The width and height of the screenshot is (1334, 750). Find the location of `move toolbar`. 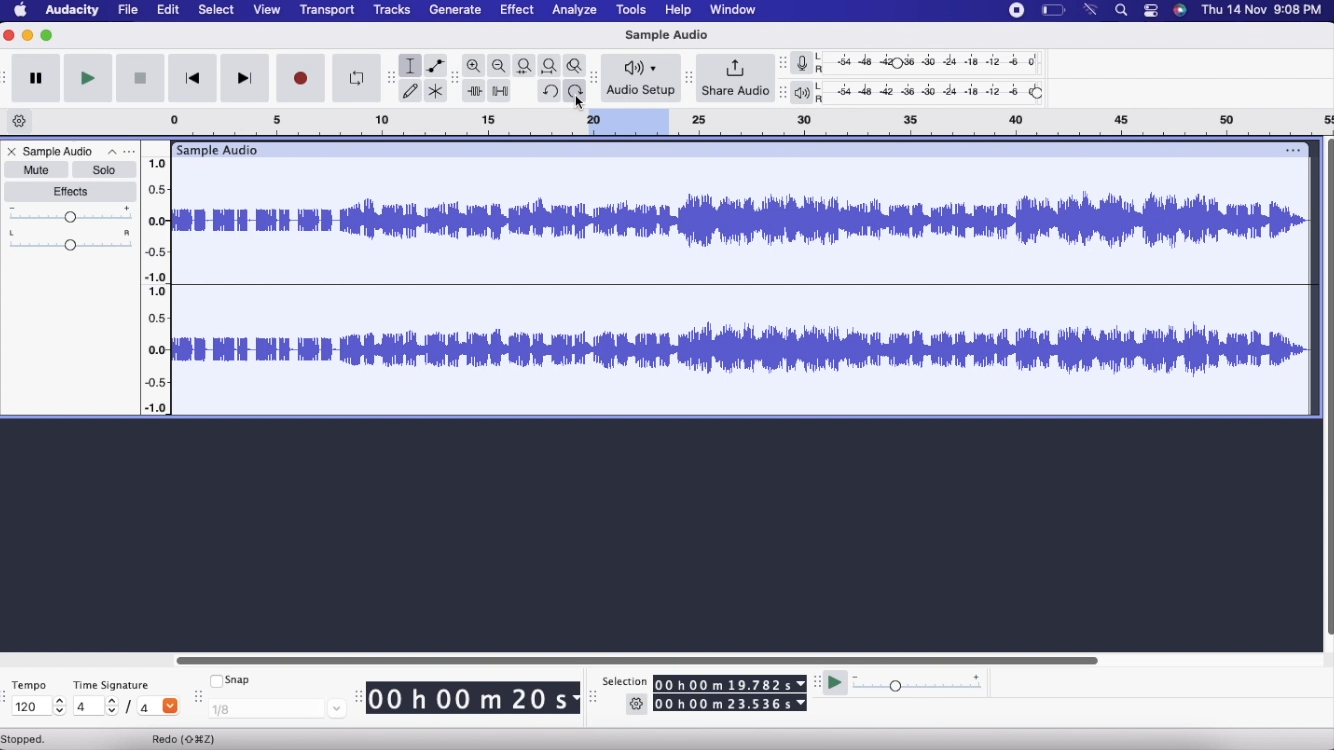

move toolbar is located at coordinates (454, 79).